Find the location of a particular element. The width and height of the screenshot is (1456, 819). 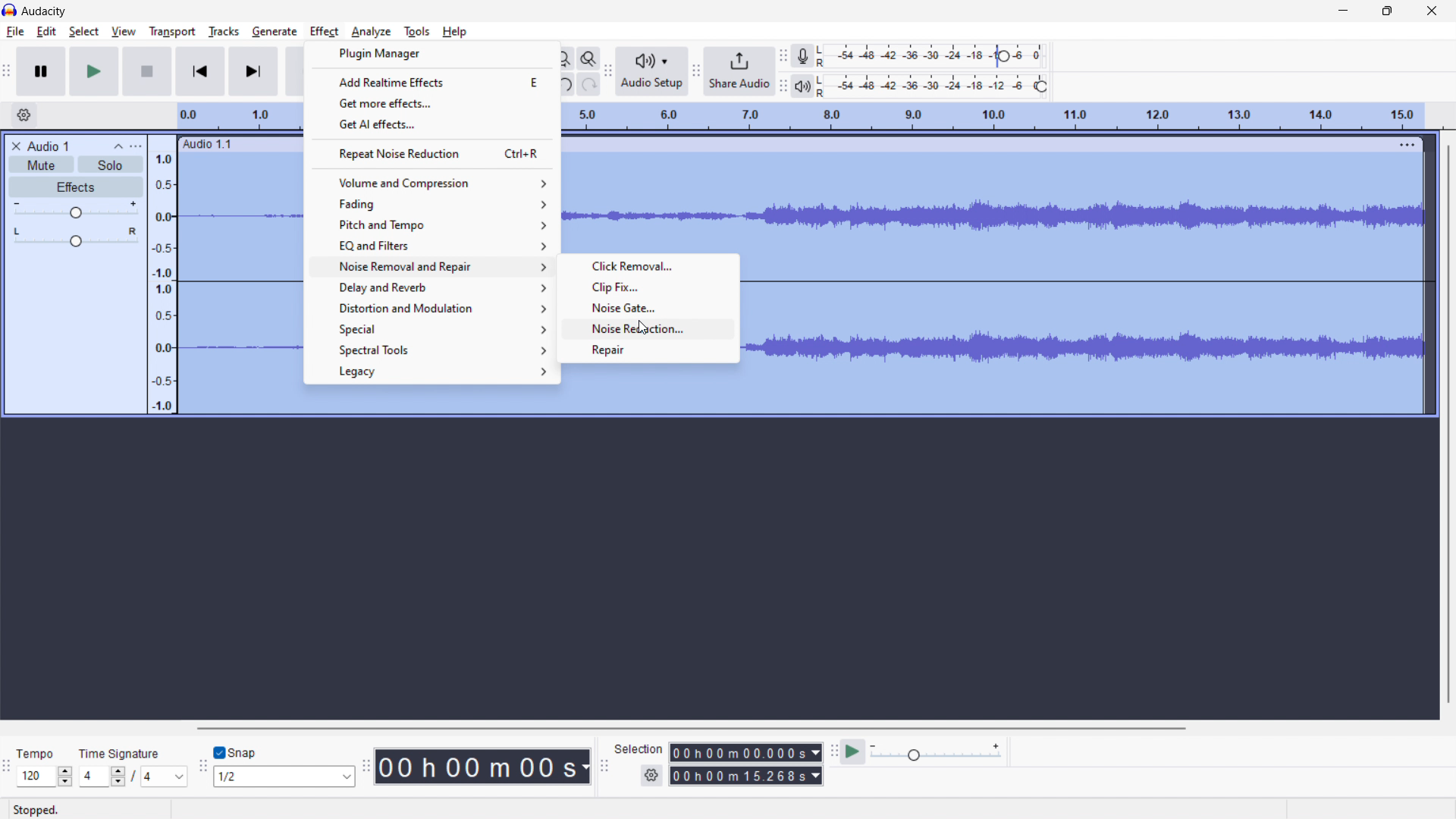

collapse is located at coordinates (117, 146).